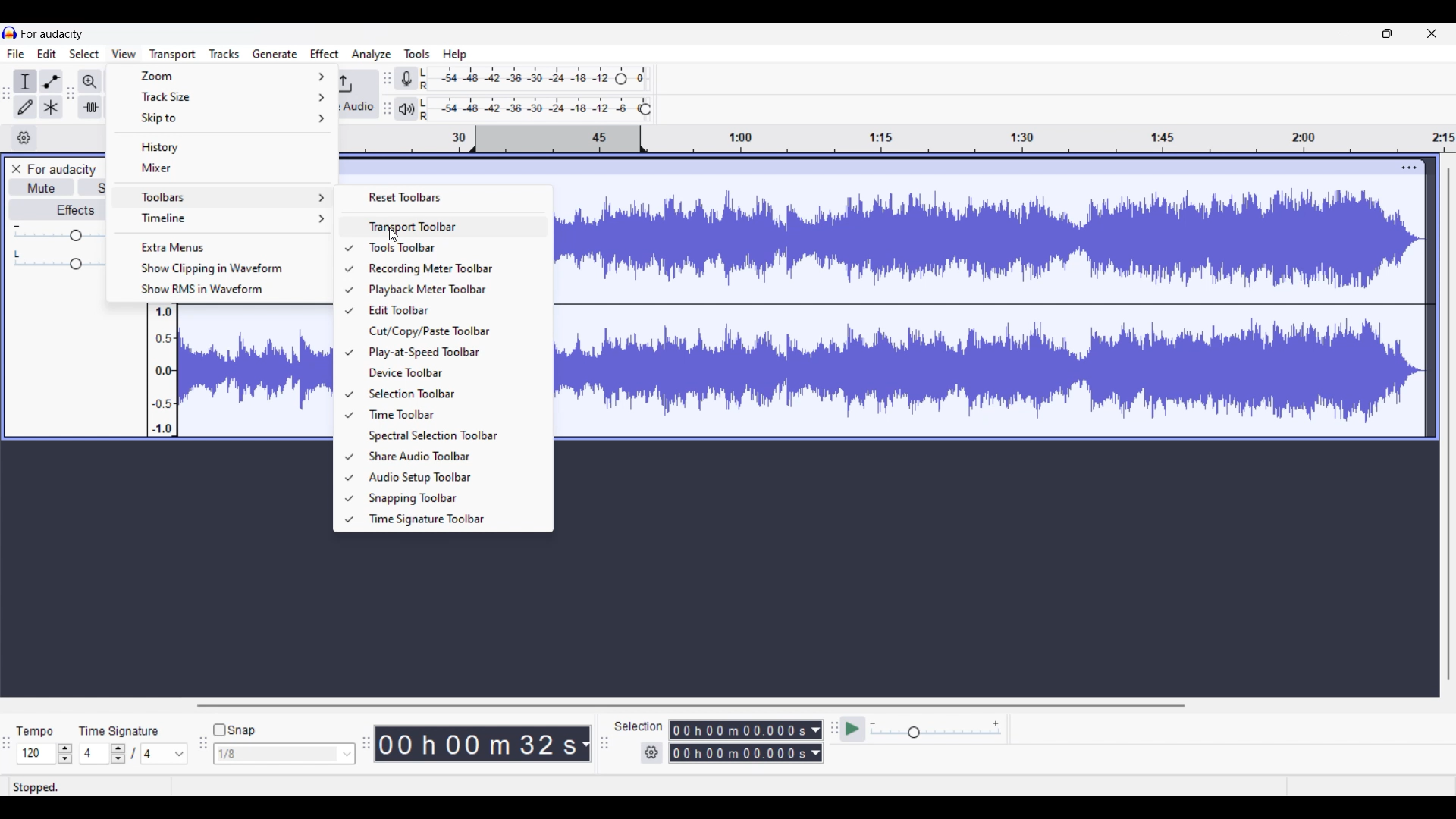 The image size is (1456, 819). What do you see at coordinates (64, 753) in the screenshot?
I see `Increase/Decrease tempo` at bounding box center [64, 753].